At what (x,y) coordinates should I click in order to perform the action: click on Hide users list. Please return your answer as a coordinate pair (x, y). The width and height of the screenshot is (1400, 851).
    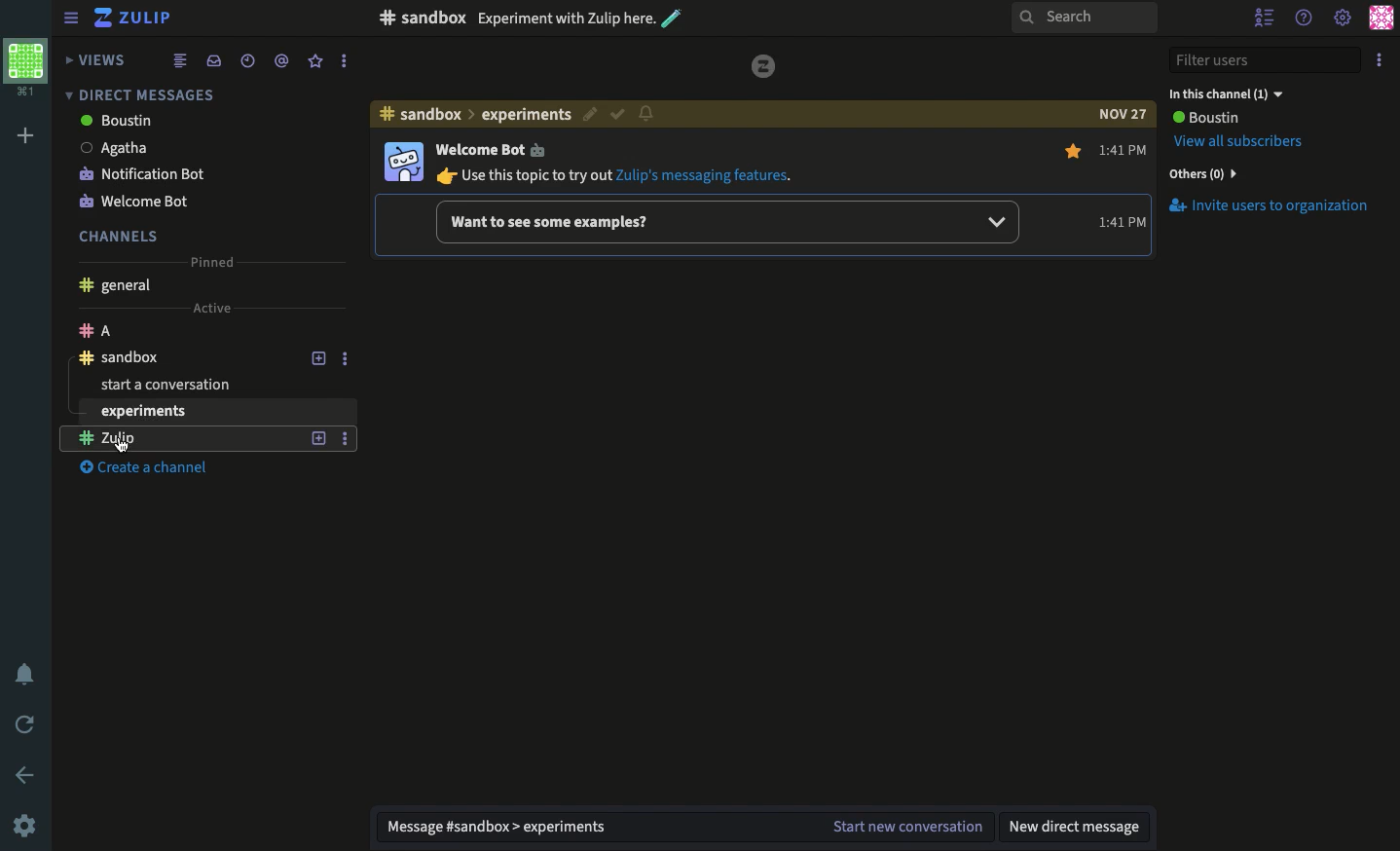
    Looking at the image, I should click on (1267, 19).